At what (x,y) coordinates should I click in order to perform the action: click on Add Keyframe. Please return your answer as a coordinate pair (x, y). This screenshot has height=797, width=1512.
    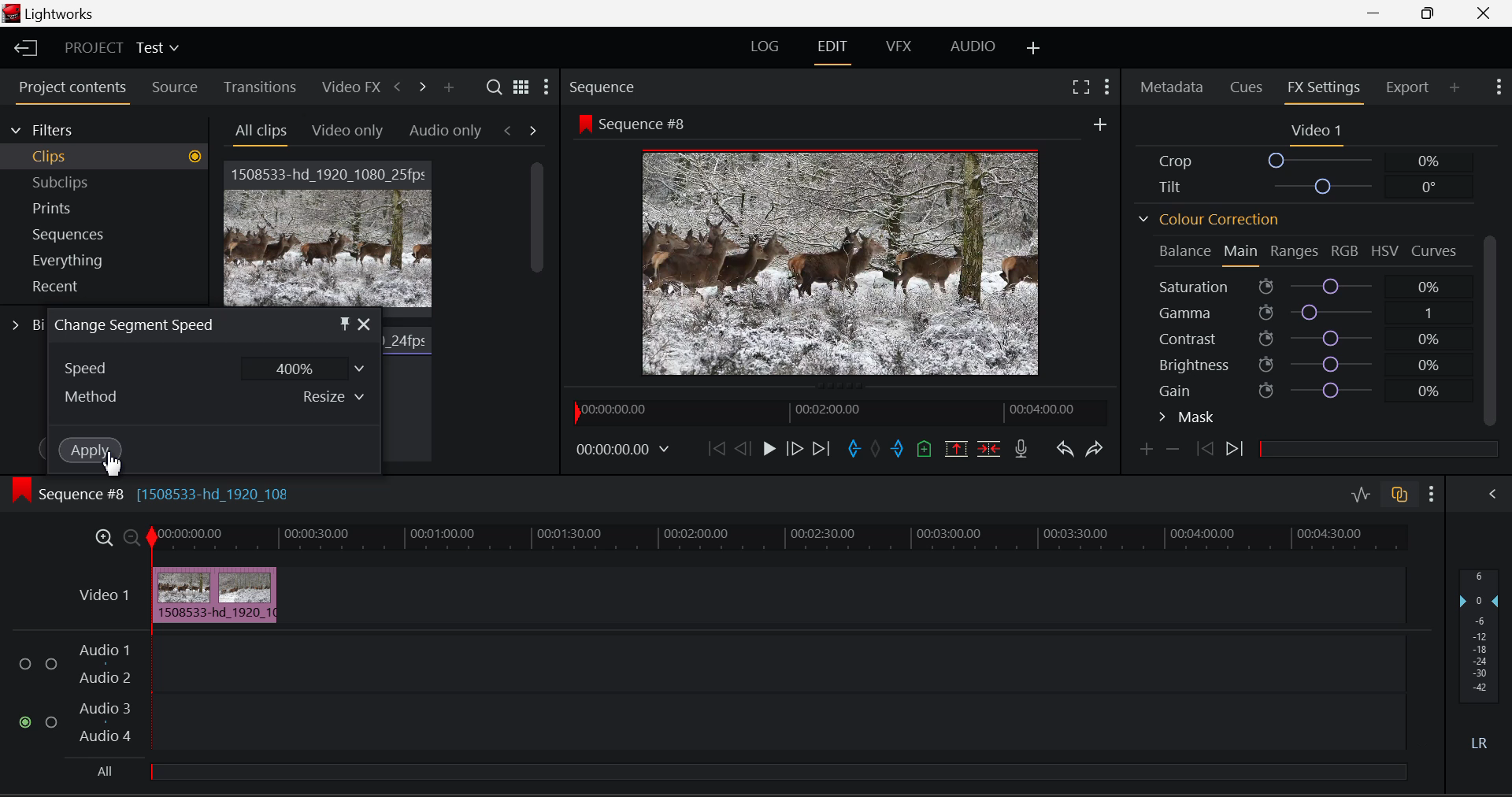
    Looking at the image, I should click on (1147, 450).